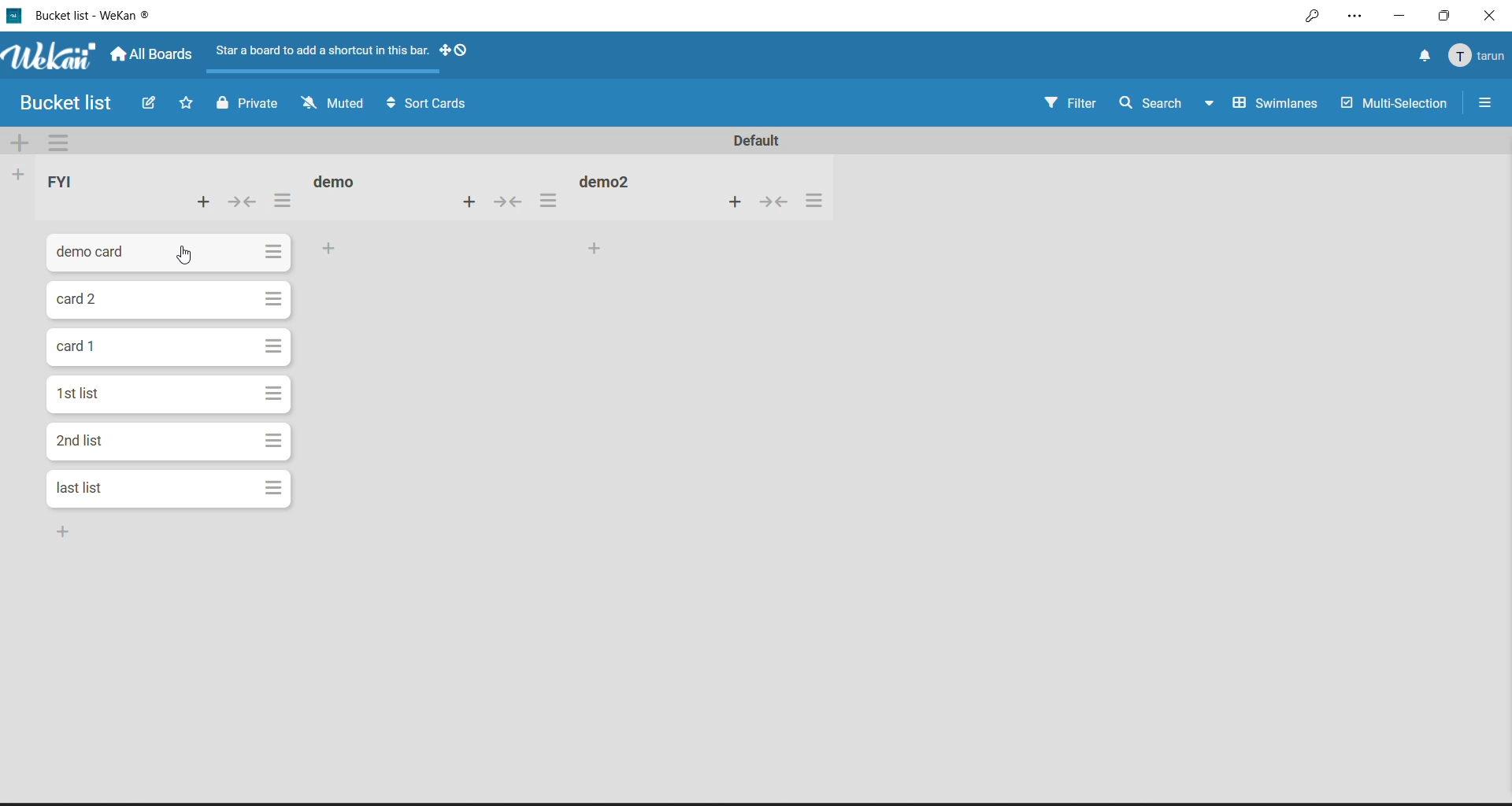 This screenshot has height=806, width=1512. What do you see at coordinates (547, 199) in the screenshot?
I see `list actions` at bounding box center [547, 199].